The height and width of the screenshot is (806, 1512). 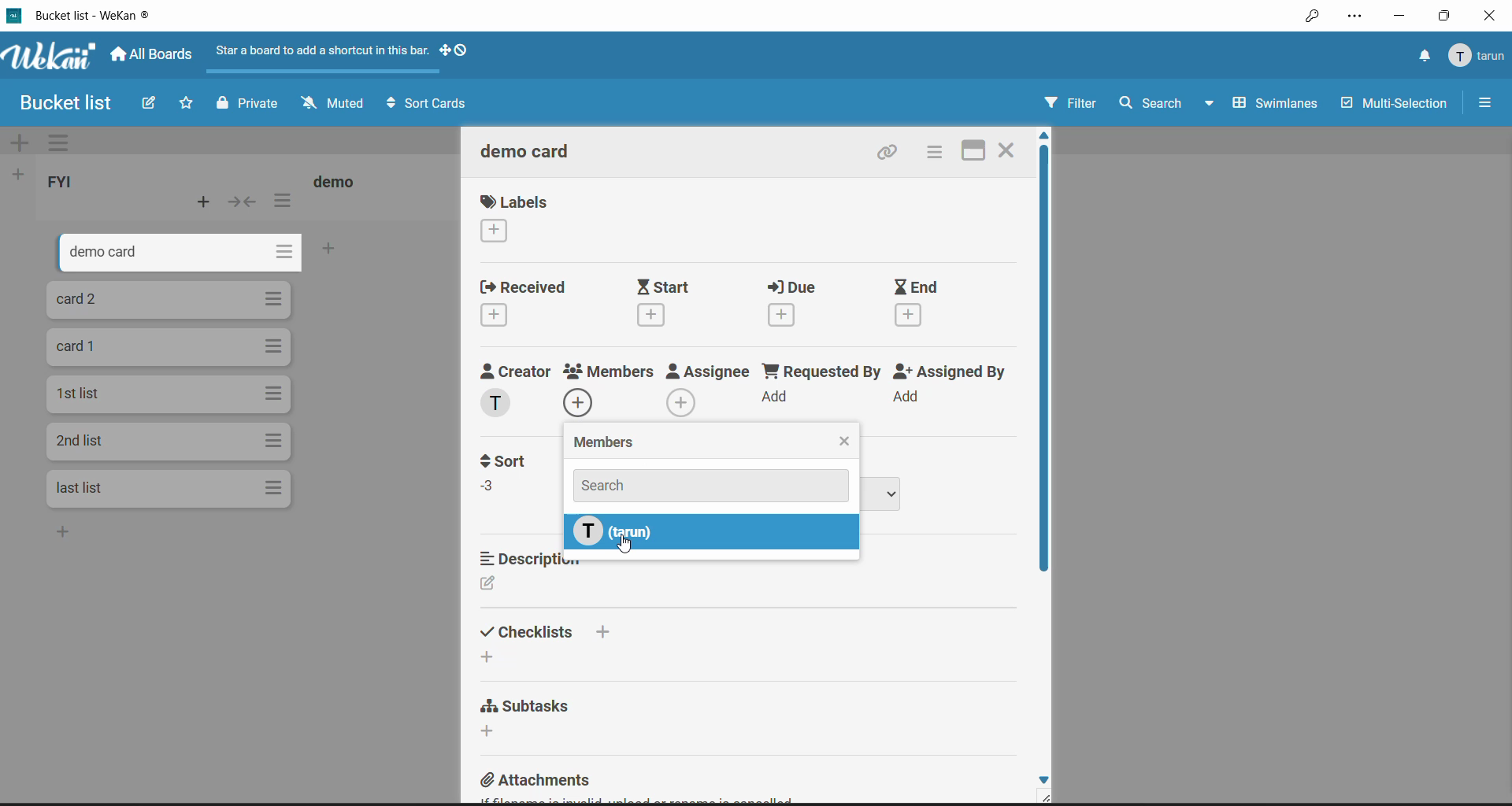 I want to click on members, so click(x=606, y=440).